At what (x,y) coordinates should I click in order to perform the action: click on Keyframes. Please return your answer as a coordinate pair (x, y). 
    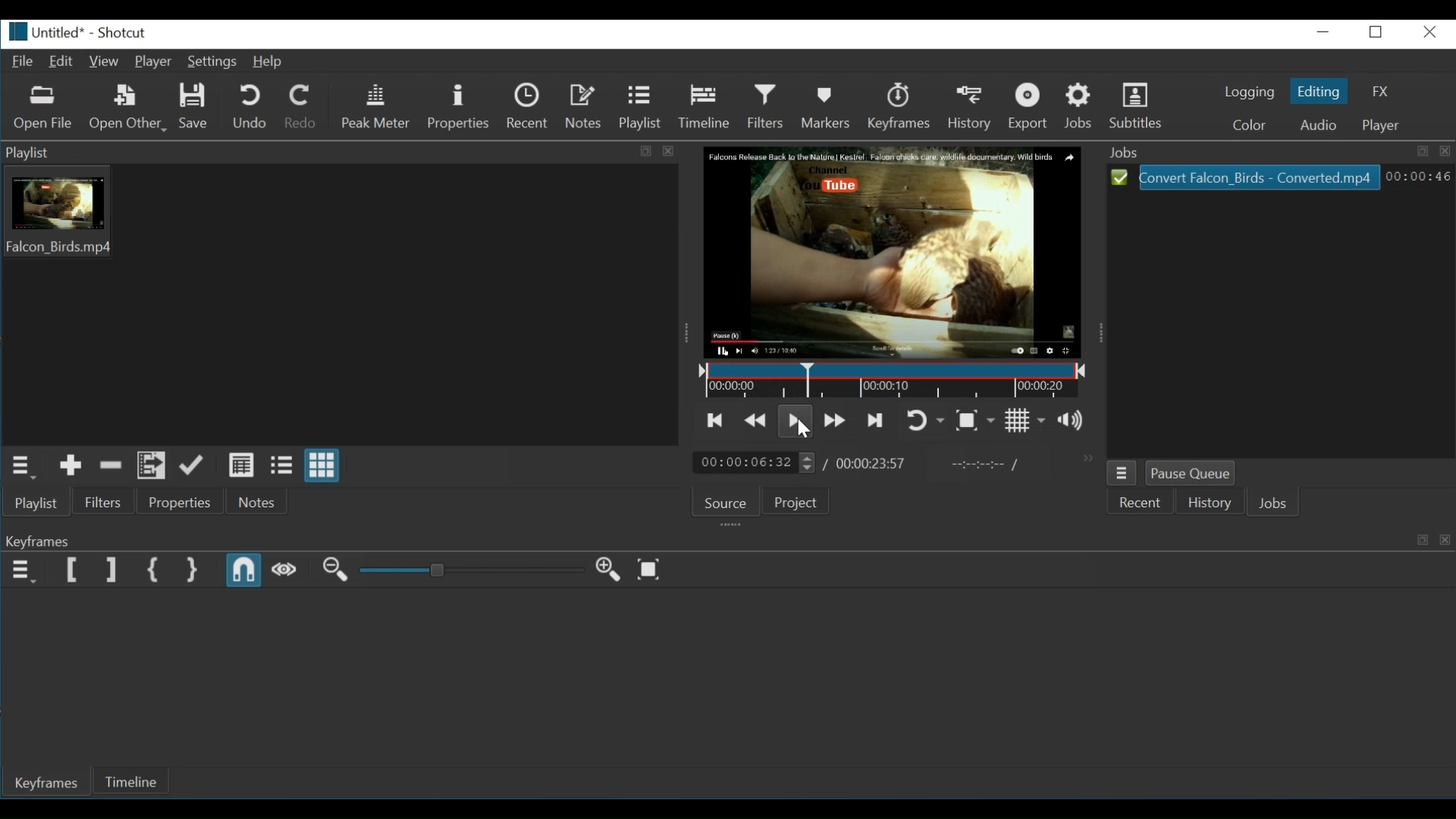
    Looking at the image, I should click on (730, 539).